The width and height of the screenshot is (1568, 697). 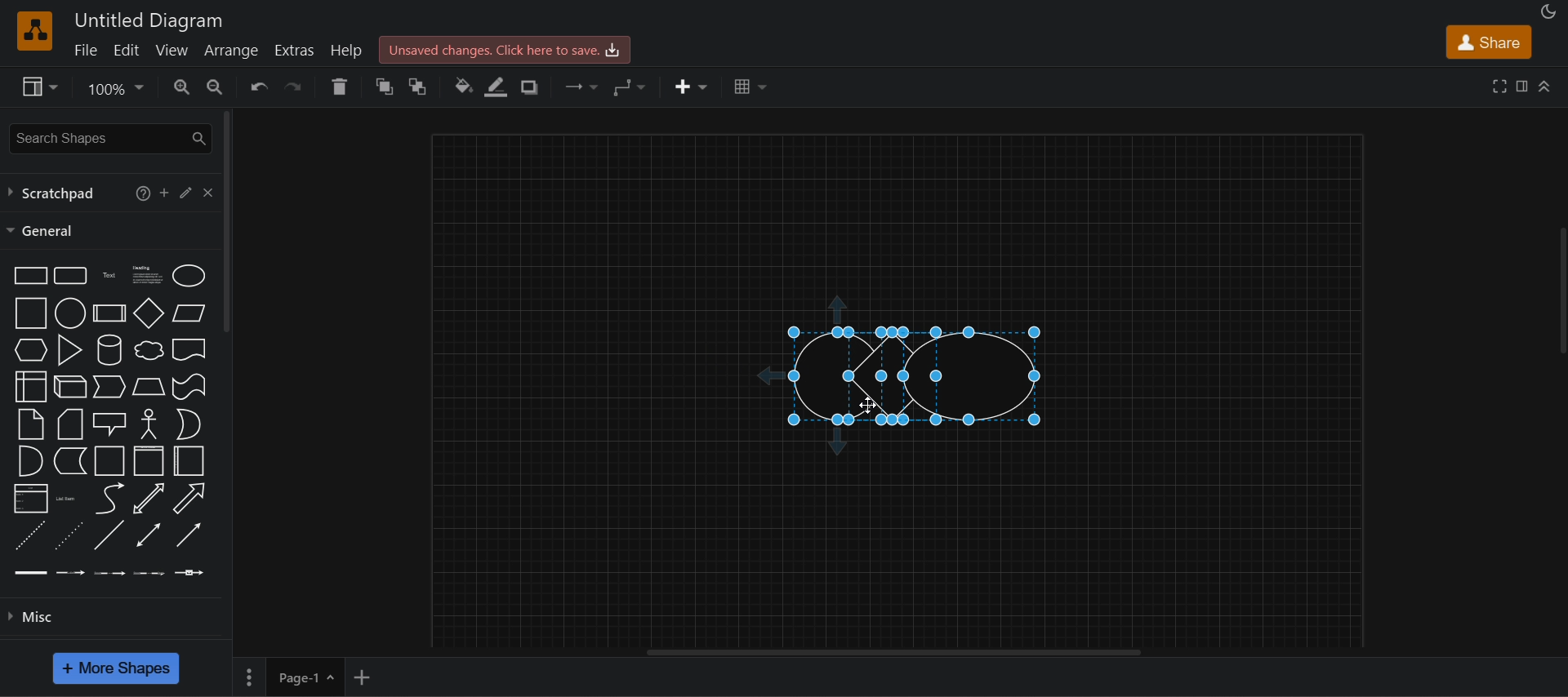 What do you see at coordinates (71, 570) in the screenshot?
I see `connector with label` at bounding box center [71, 570].